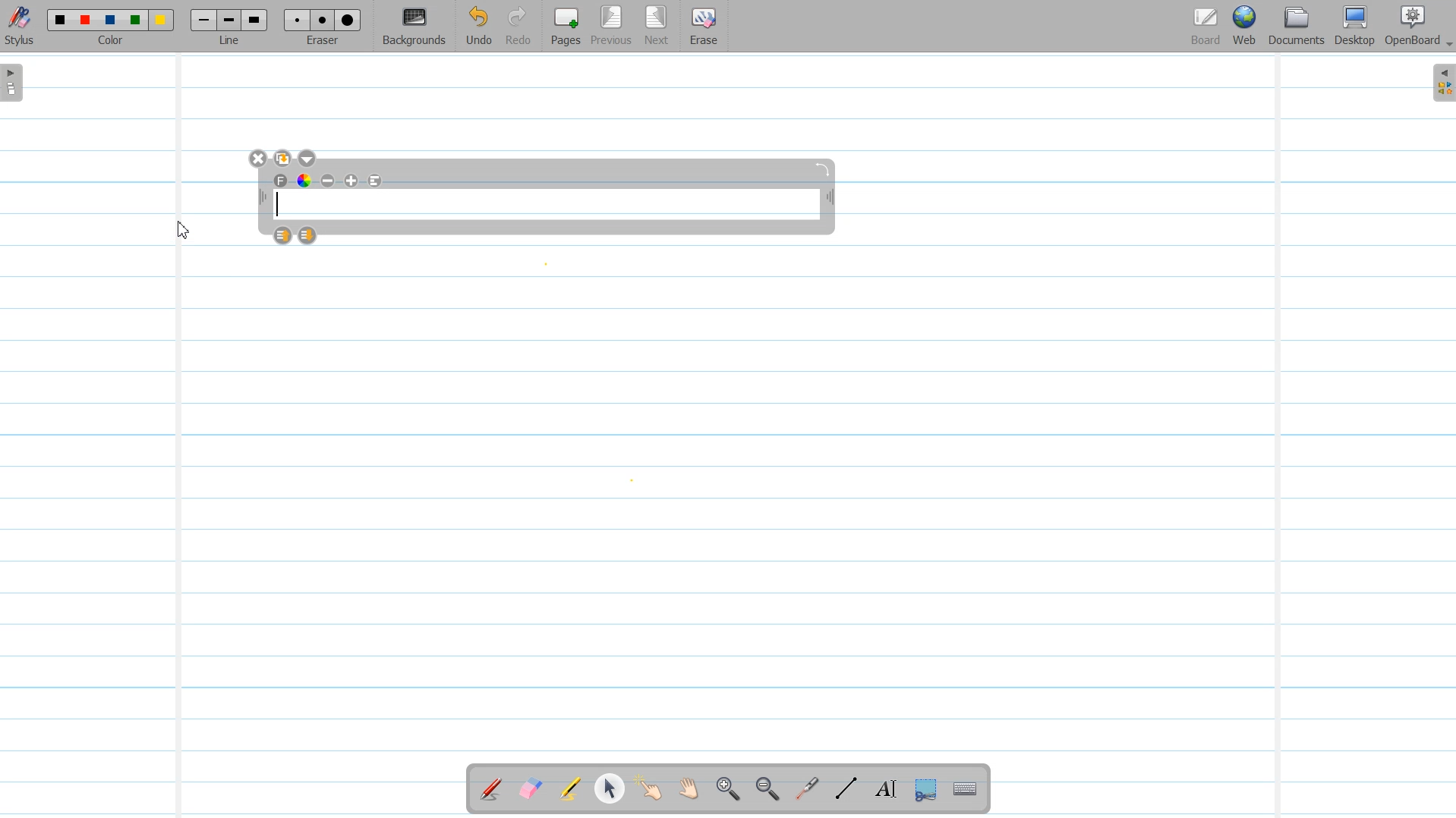  Describe the element at coordinates (282, 181) in the screenshot. I see `Text Font ` at that location.